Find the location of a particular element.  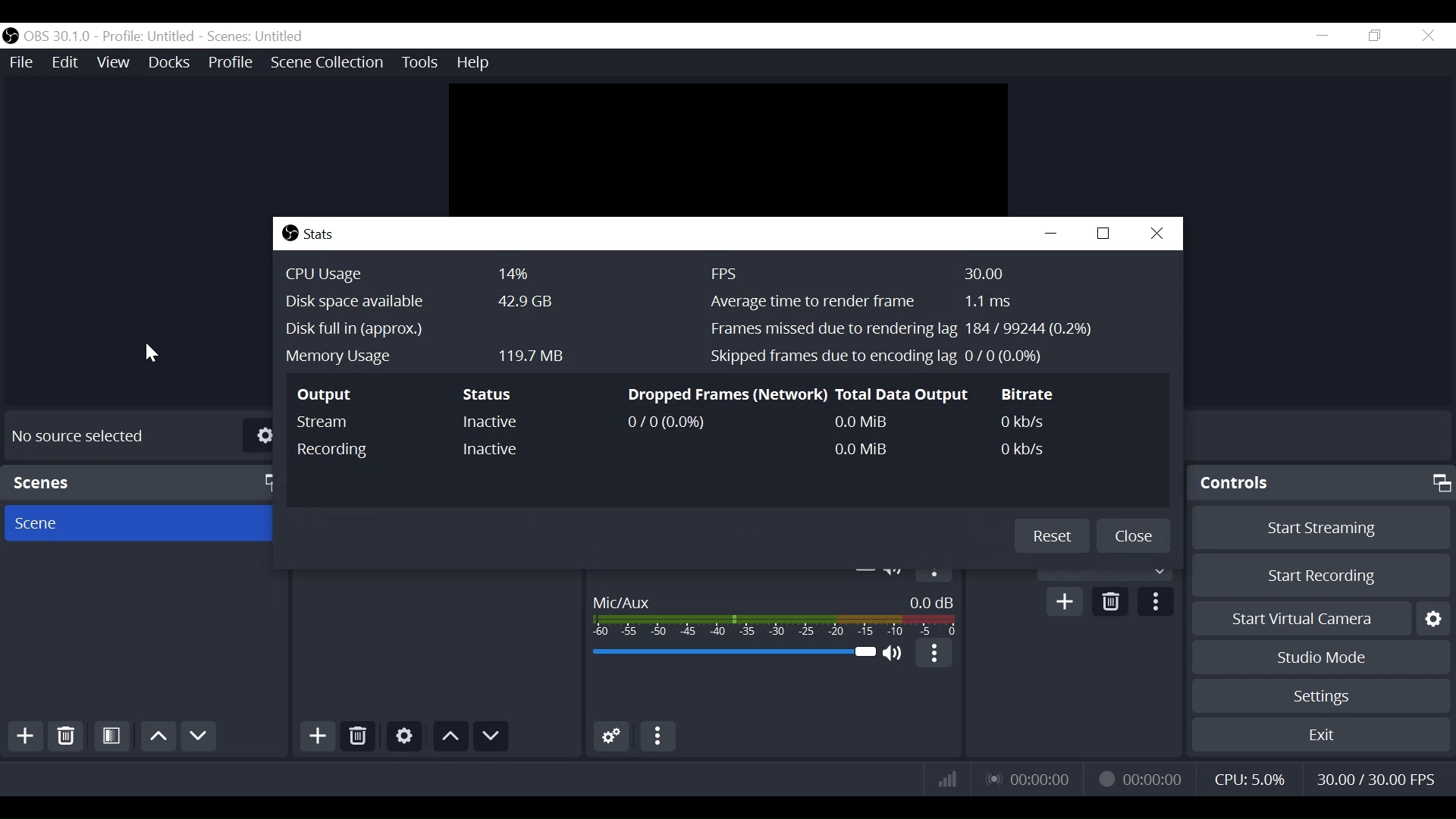

more options is located at coordinates (937, 655).